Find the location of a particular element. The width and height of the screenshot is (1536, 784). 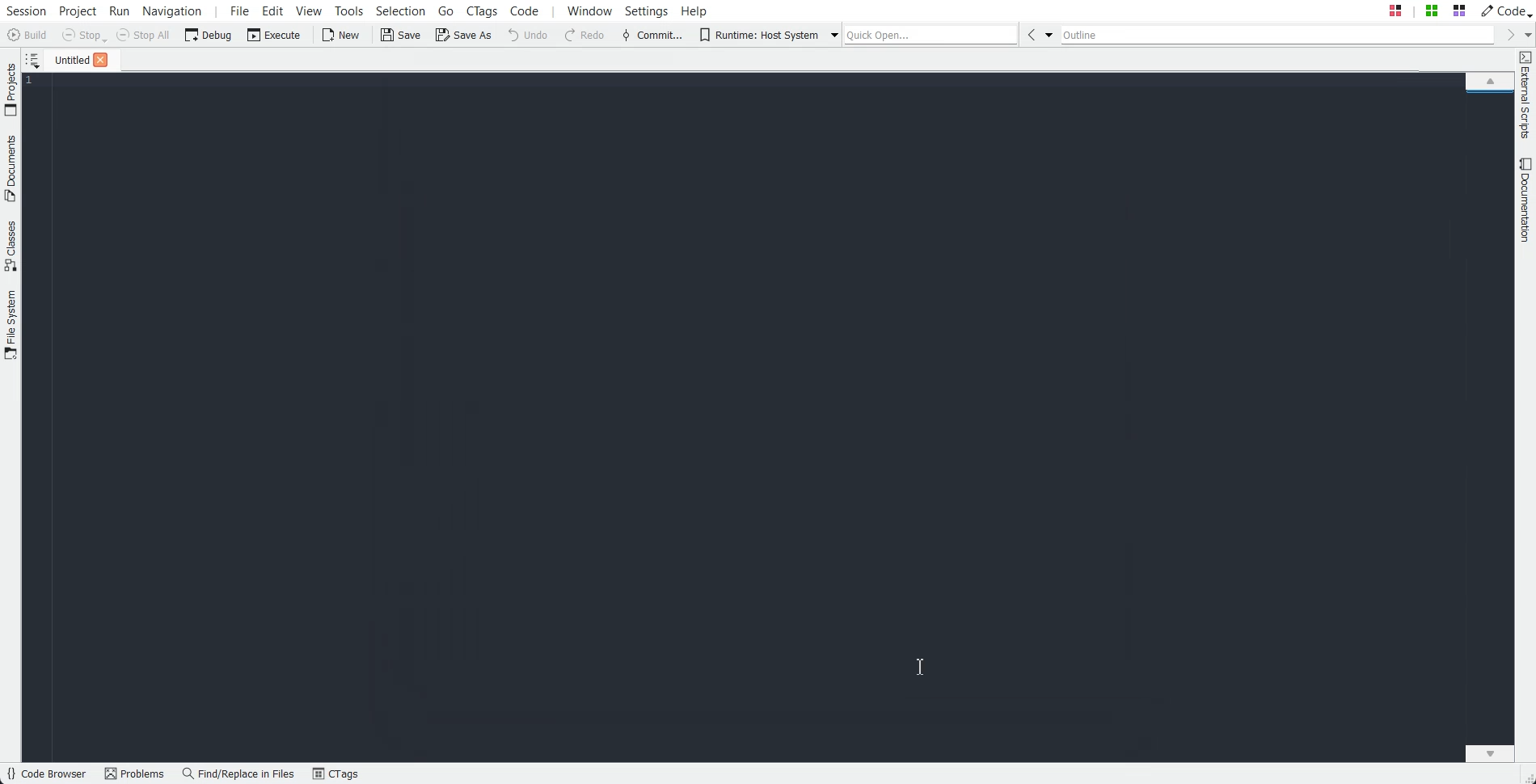

File is located at coordinates (67, 59).